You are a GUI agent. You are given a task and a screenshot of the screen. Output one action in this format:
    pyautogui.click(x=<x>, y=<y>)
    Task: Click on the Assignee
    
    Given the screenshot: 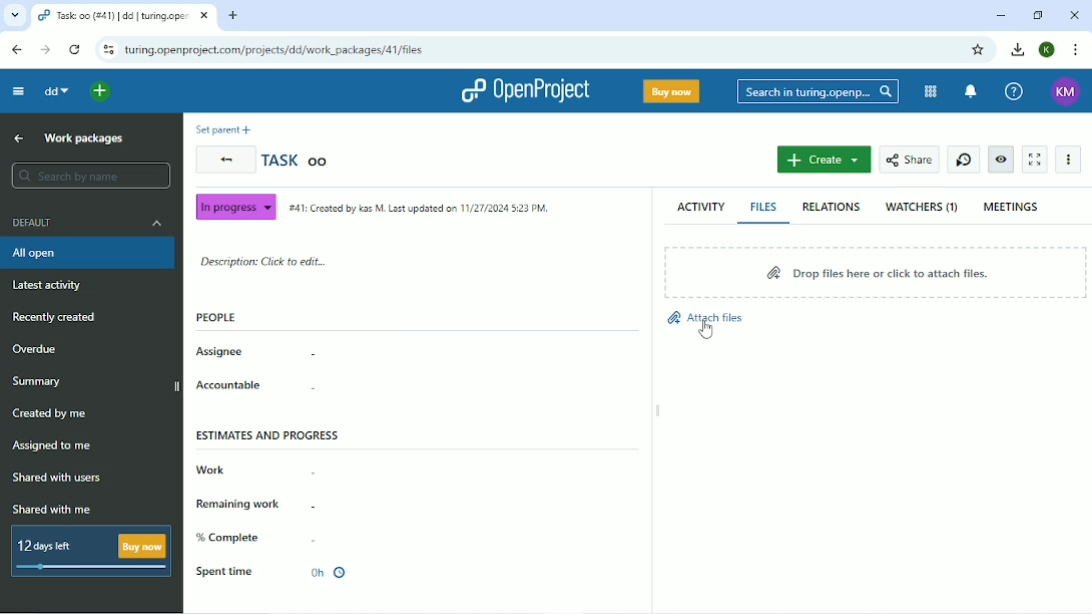 What is the action you would take?
    pyautogui.click(x=222, y=352)
    